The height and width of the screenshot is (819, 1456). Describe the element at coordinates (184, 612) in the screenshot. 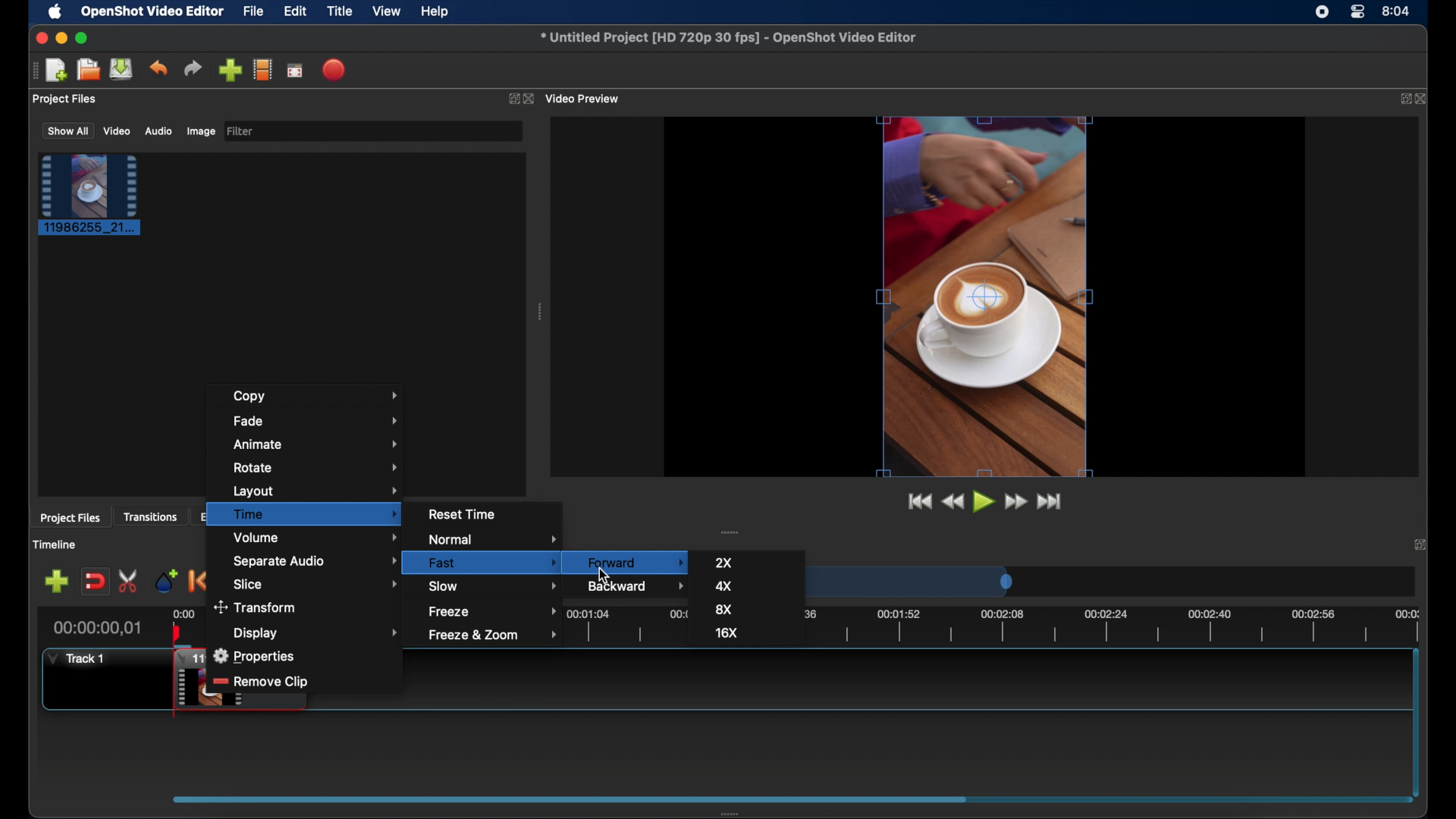

I see `0.00` at that location.